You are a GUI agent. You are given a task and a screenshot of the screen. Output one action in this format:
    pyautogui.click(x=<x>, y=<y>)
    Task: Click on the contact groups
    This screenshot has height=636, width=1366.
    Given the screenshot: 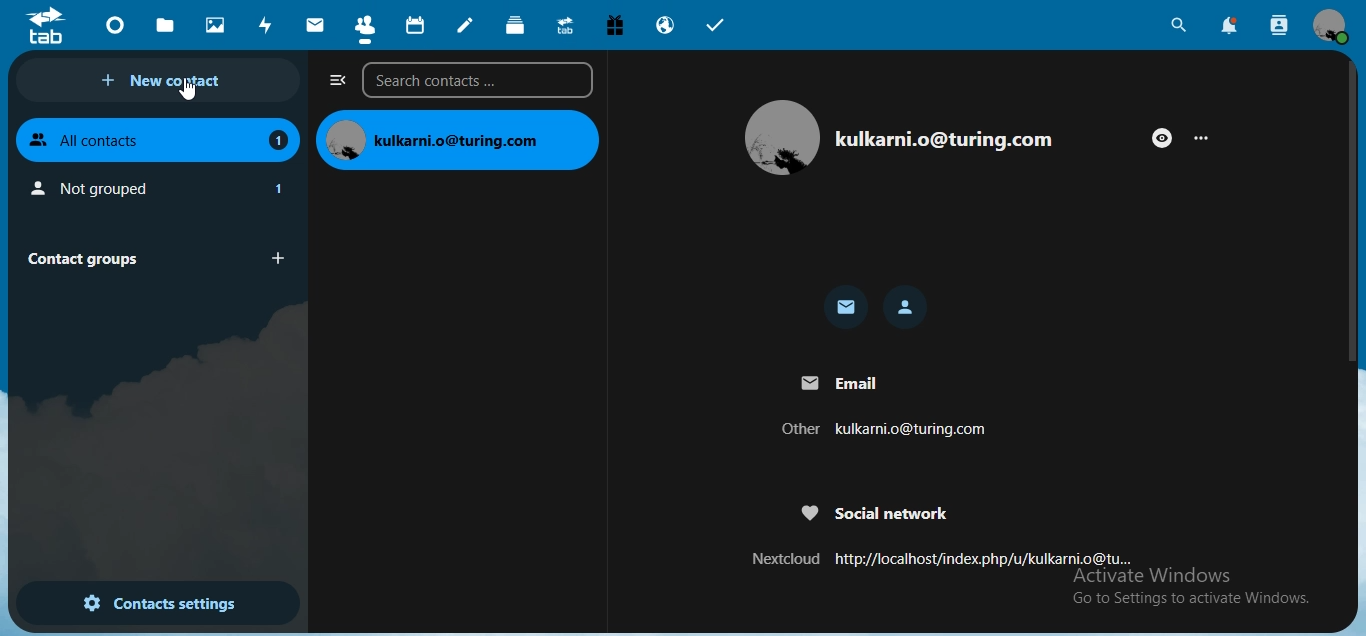 What is the action you would take?
    pyautogui.click(x=151, y=257)
    